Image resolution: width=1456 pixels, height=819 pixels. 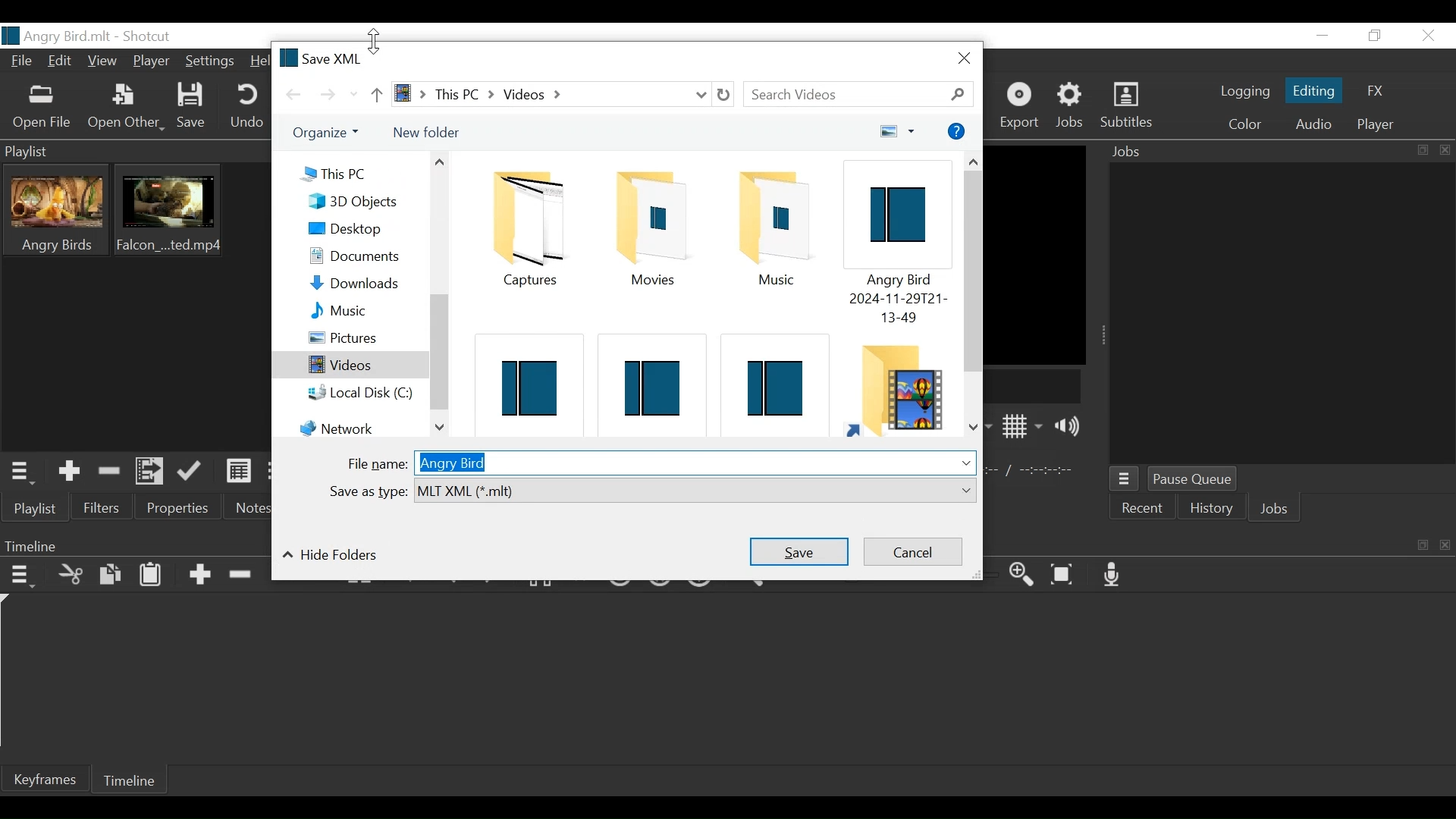 What do you see at coordinates (963, 58) in the screenshot?
I see `Cose` at bounding box center [963, 58].